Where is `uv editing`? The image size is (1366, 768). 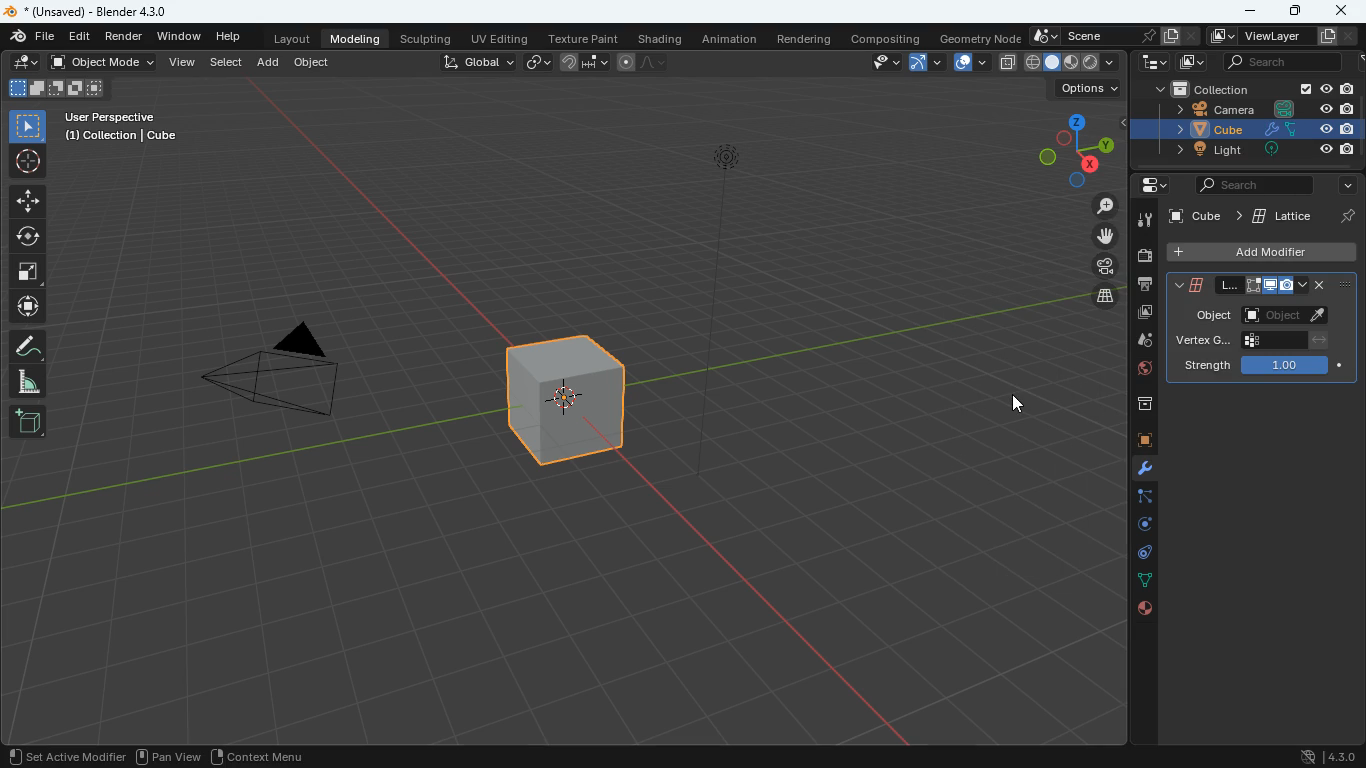 uv editing is located at coordinates (499, 37).